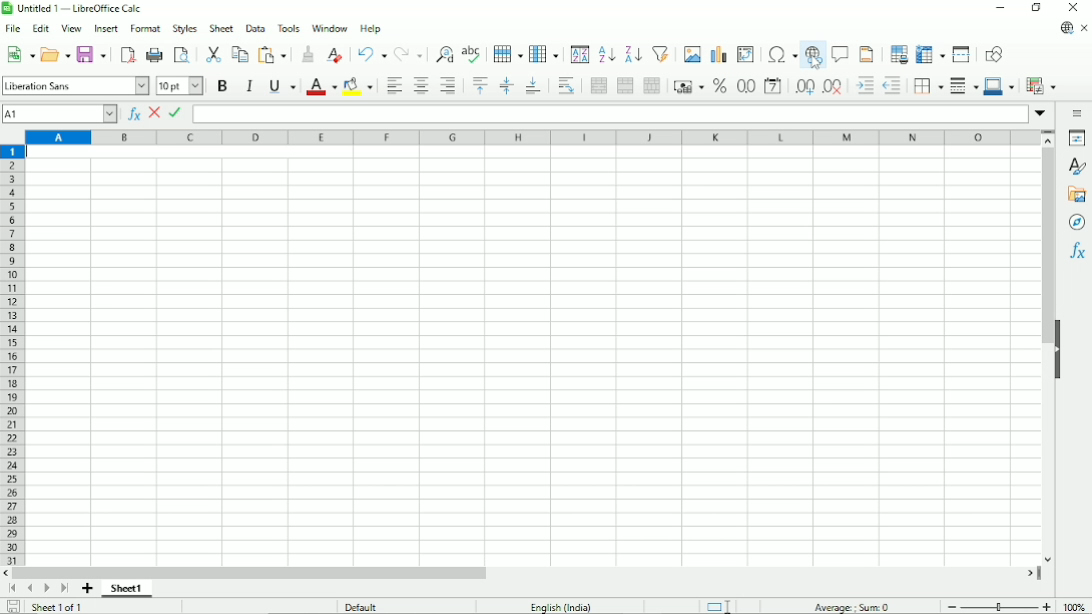 This screenshot has height=614, width=1092. What do you see at coordinates (392, 86) in the screenshot?
I see `Align left` at bounding box center [392, 86].